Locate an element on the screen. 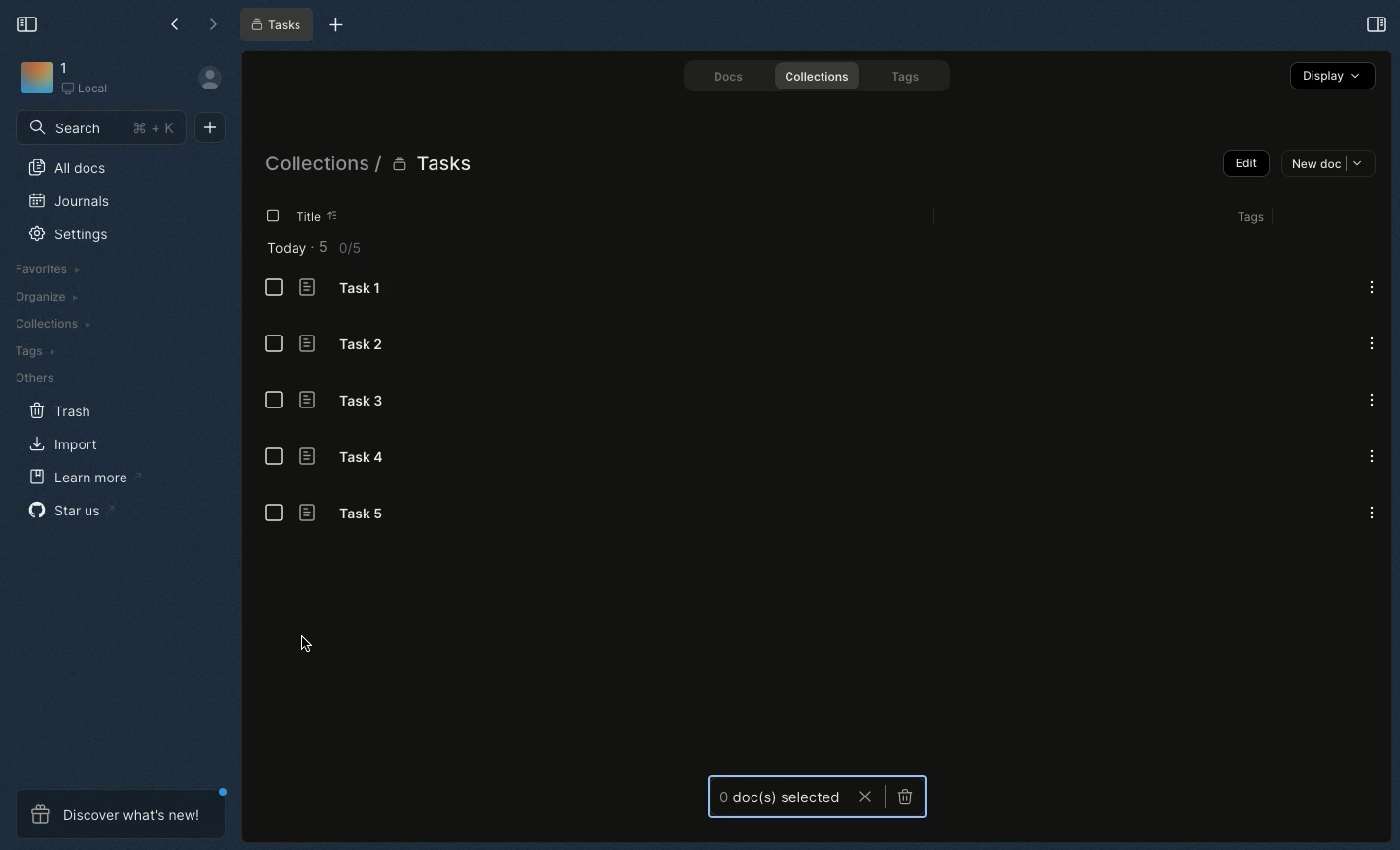 This screenshot has width=1400, height=850. Learn more is located at coordinates (82, 478).